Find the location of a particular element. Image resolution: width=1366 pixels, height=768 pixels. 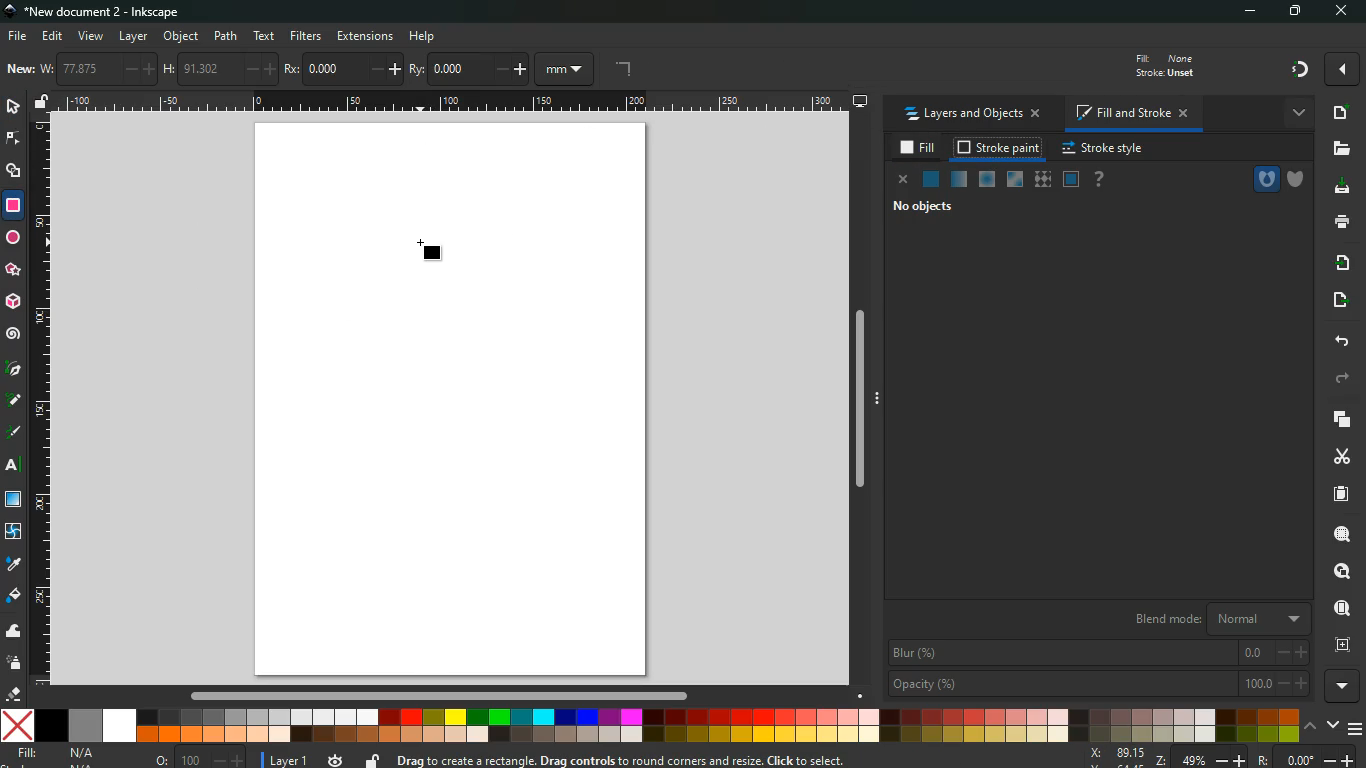

extensions is located at coordinates (365, 36).